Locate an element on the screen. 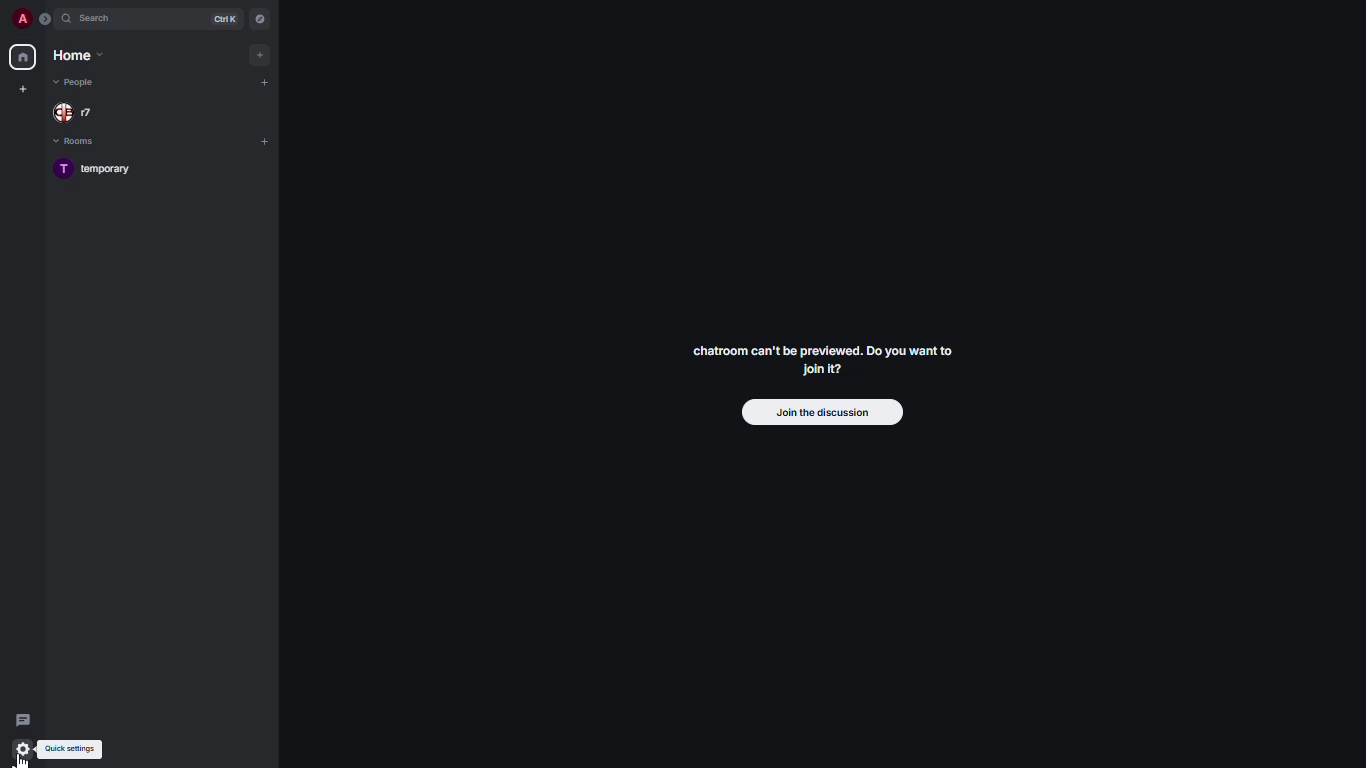 The height and width of the screenshot is (768, 1366). home is located at coordinates (24, 57).